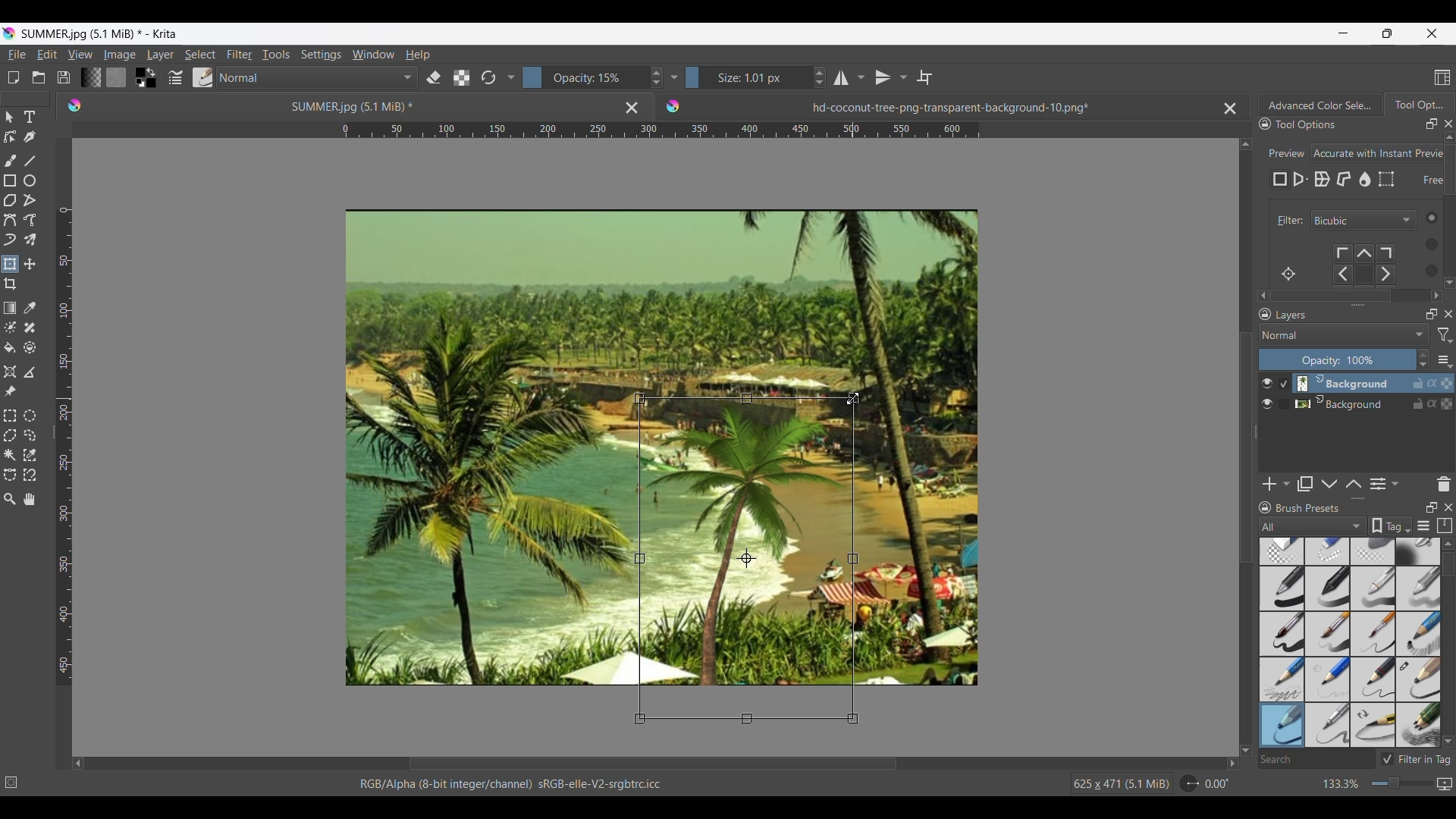 The width and height of the screenshot is (1456, 819). What do you see at coordinates (418, 55) in the screenshot?
I see `Help` at bounding box center [418, 55].